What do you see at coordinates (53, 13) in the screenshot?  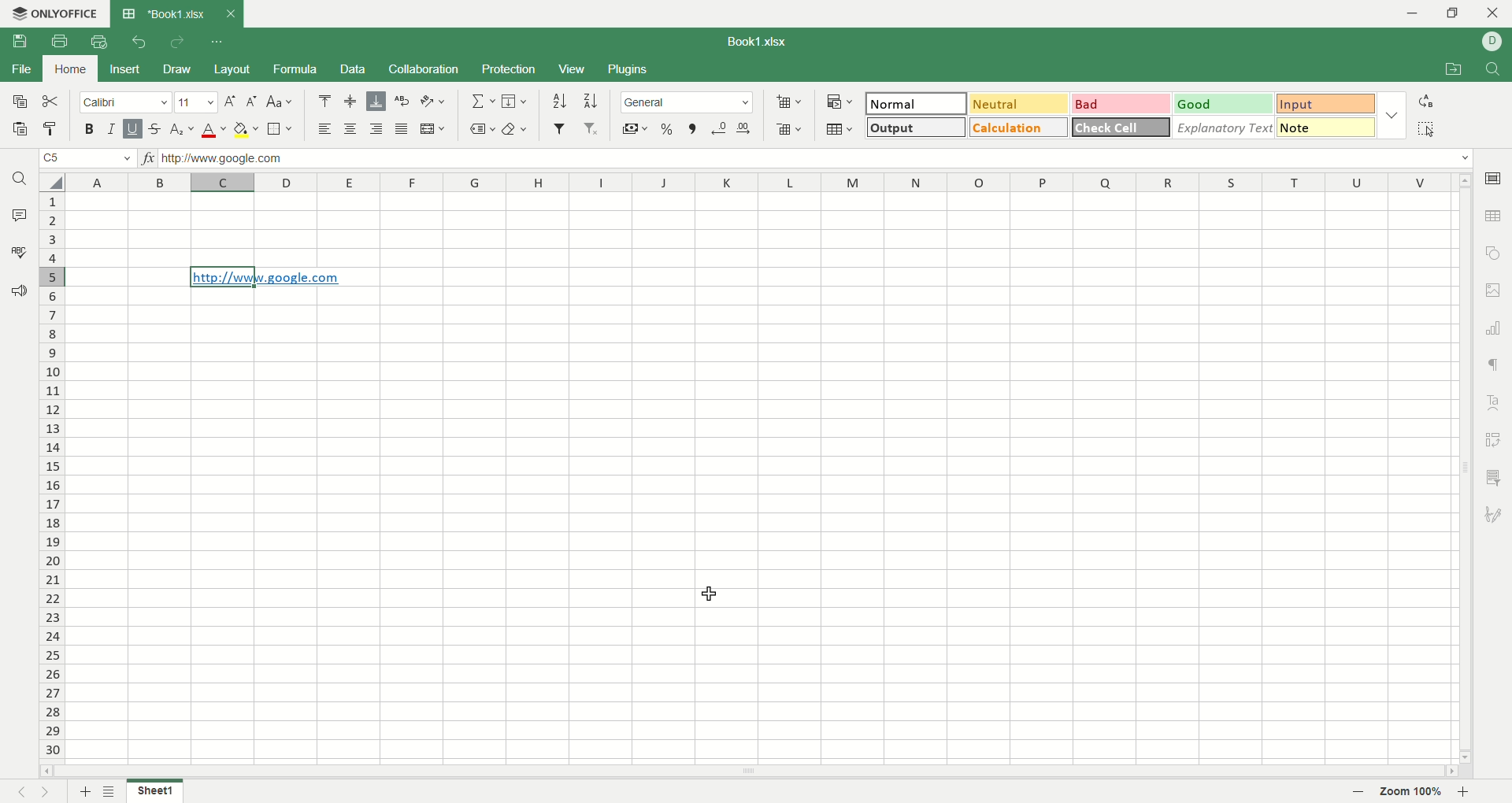 I see `ONLYOFFICE` at bounding box center [53, 13].